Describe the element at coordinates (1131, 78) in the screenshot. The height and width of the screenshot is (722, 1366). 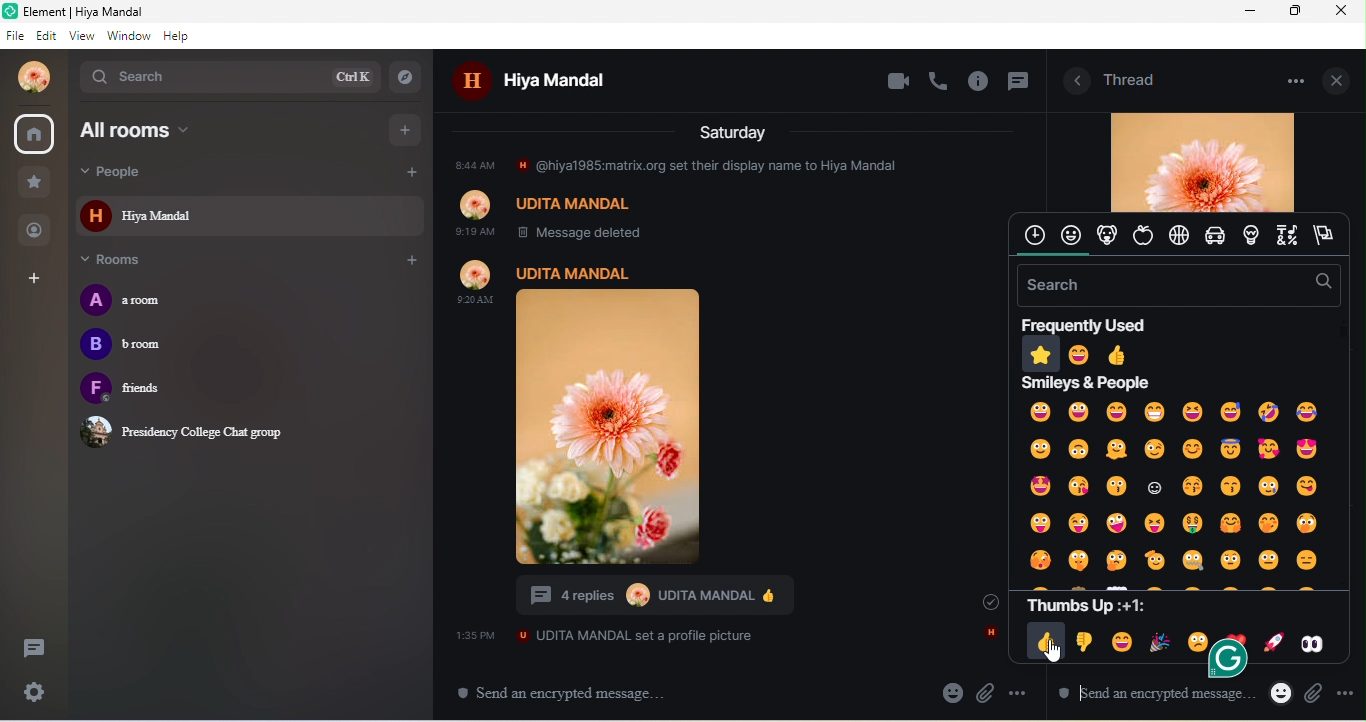
I see `thread` at that location.